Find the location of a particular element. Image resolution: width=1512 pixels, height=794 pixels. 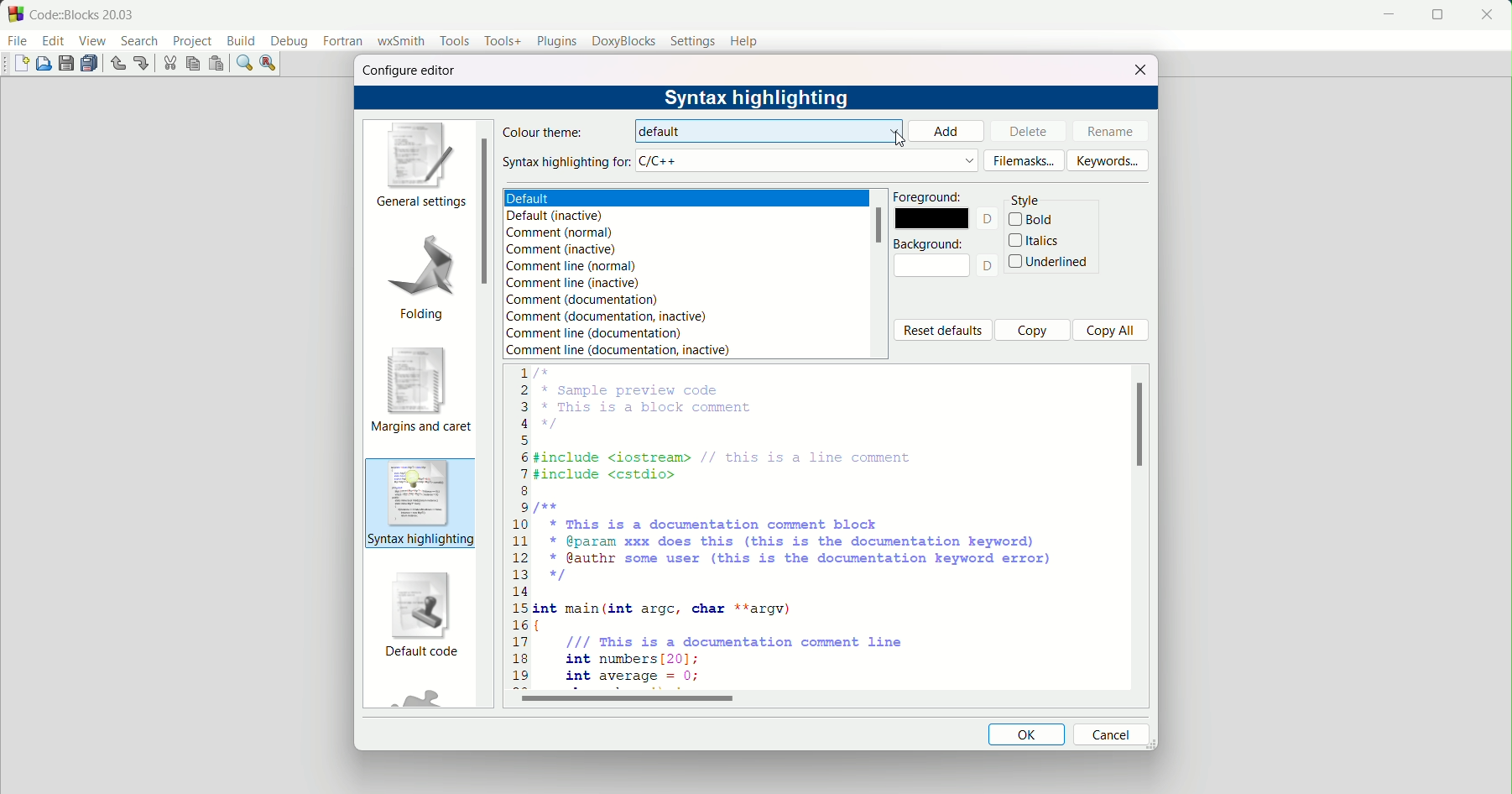

undo is located at coordinates (117, 64).